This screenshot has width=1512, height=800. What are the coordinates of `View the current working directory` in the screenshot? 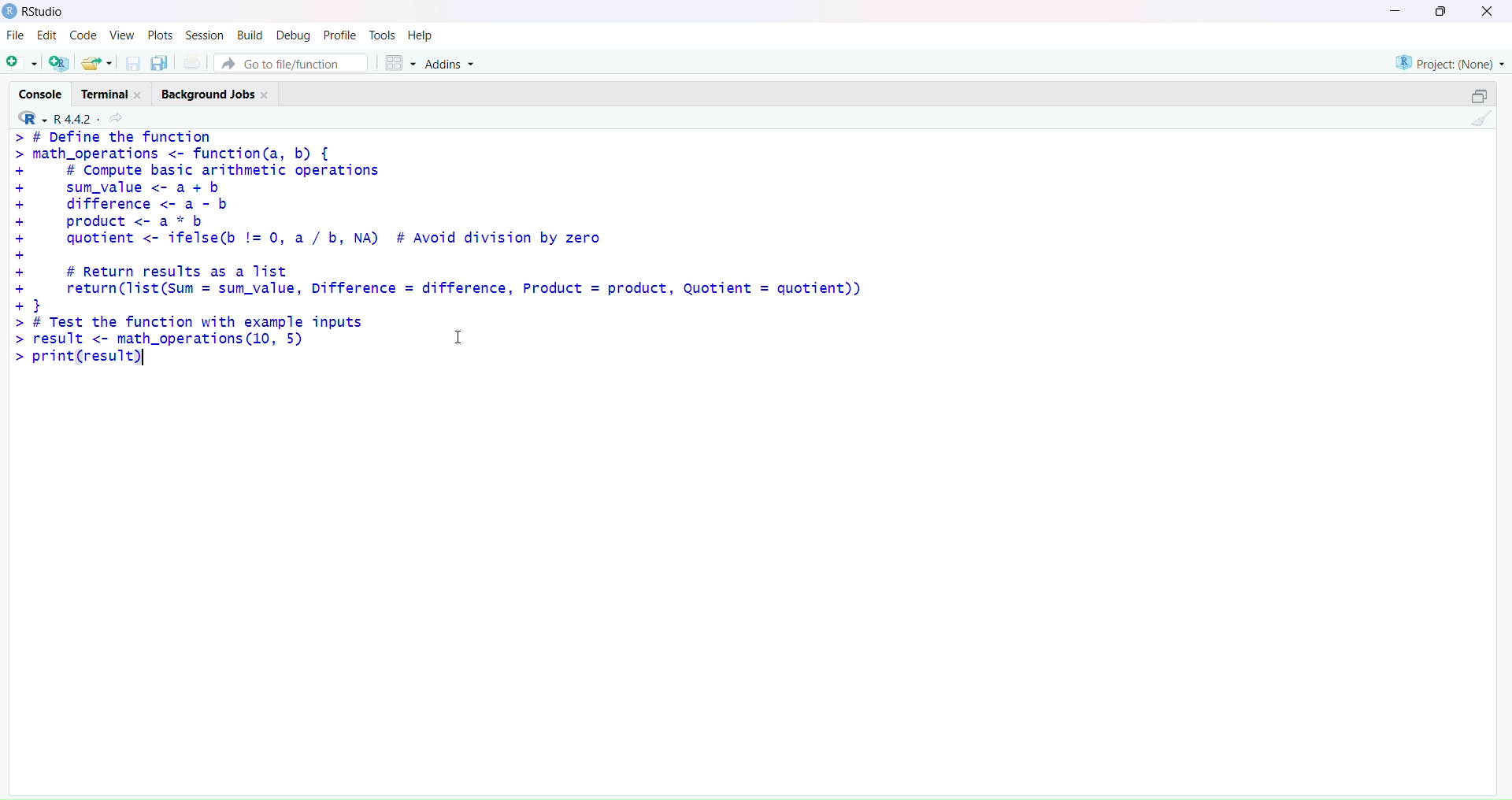 It's located at (119, 119).